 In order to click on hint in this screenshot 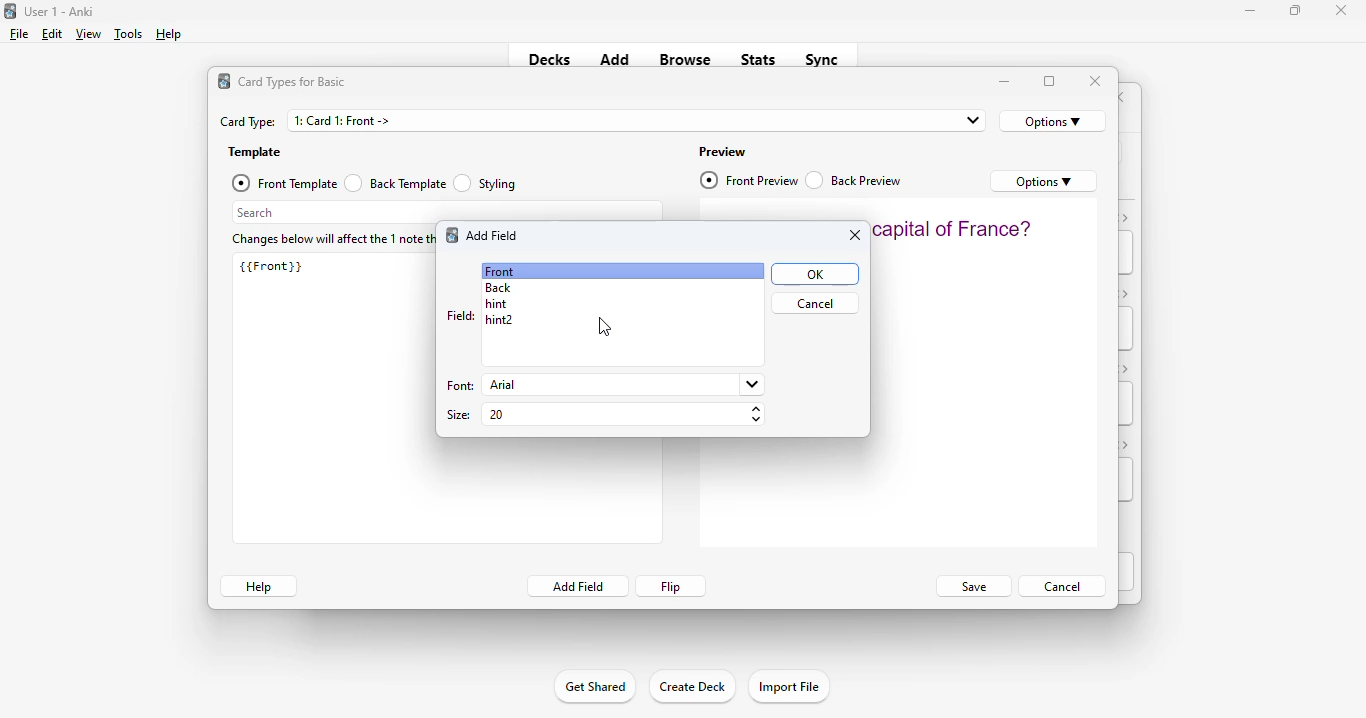, I will do `click(495, 304)`.